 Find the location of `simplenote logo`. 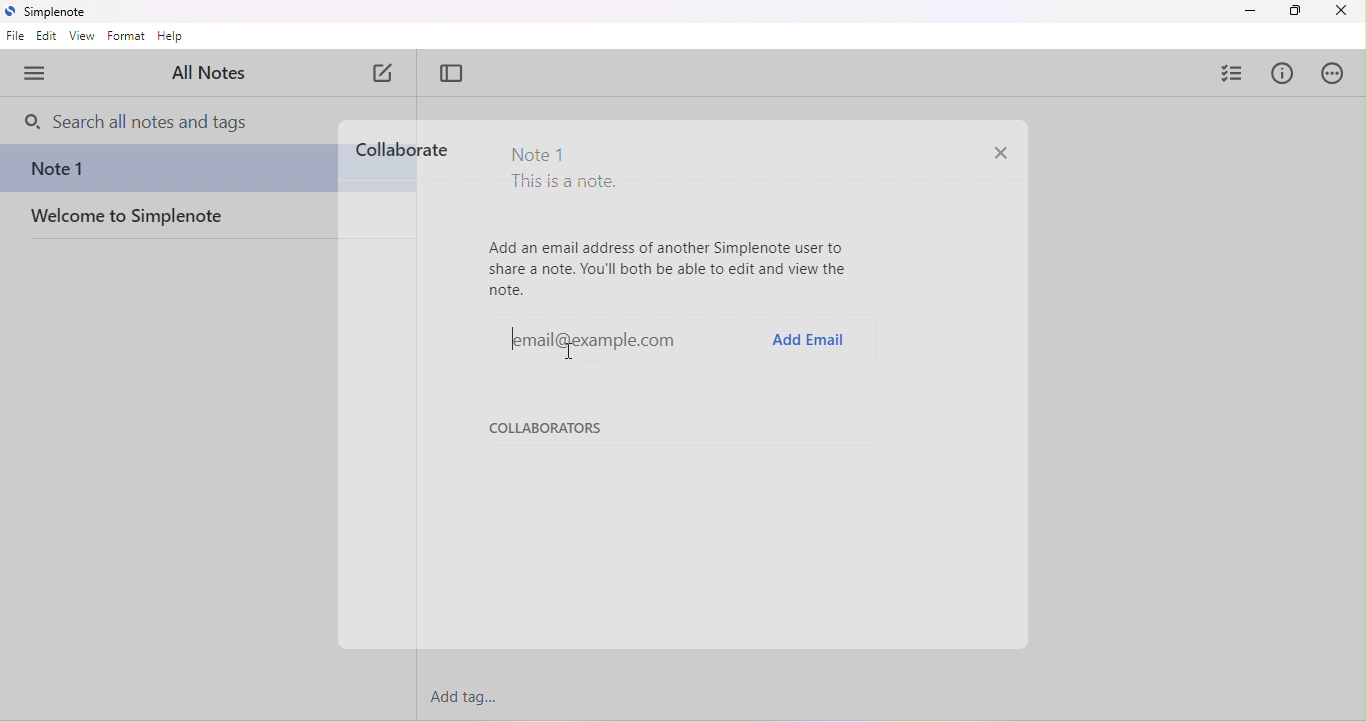

simplenote logo is located at coordinates (9, 12).